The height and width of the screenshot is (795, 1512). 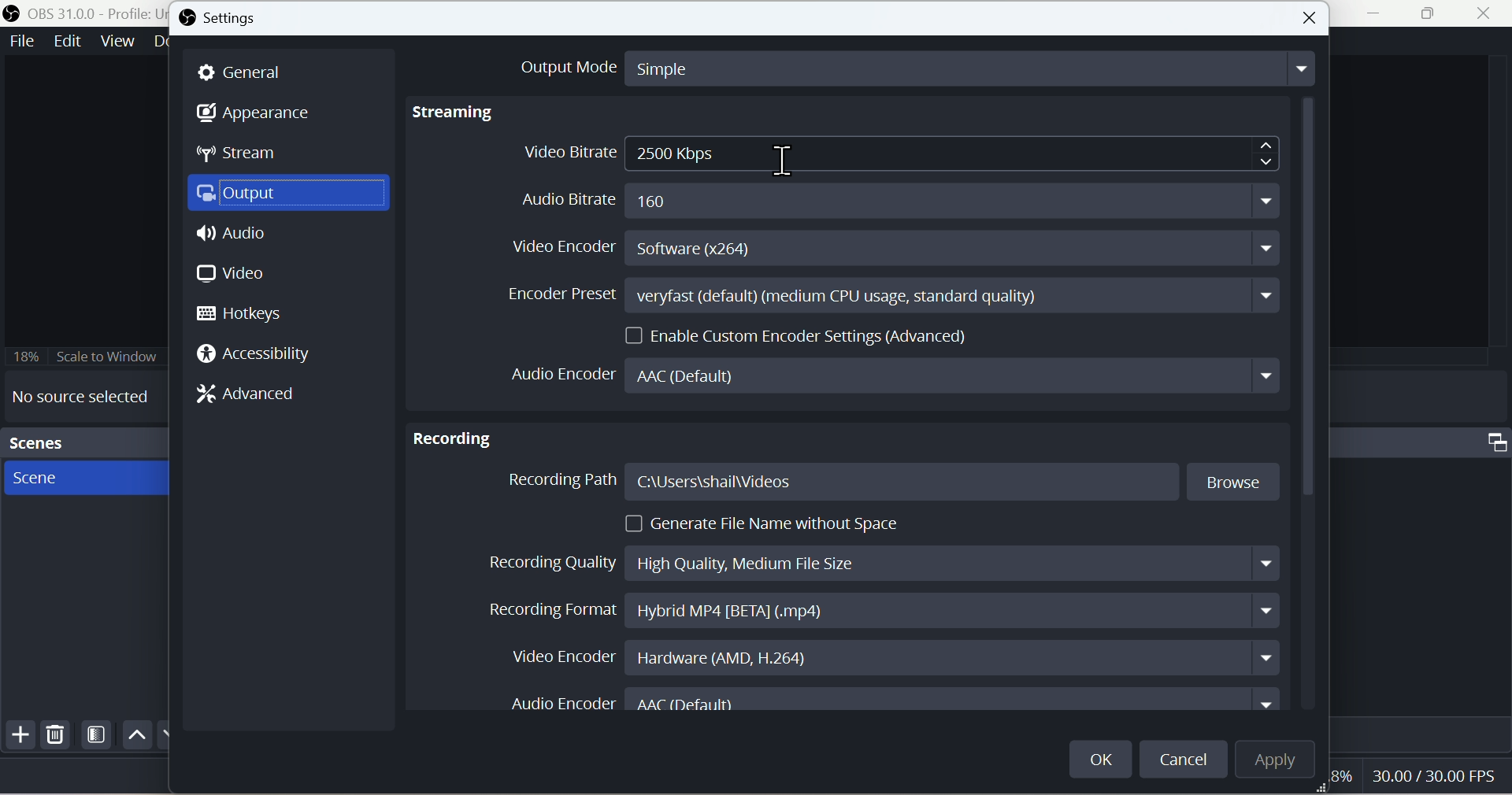 What do you see at coordinates (900, 66) in the screenshot?
I see `Output Mode` at bounding box center [900, 66].